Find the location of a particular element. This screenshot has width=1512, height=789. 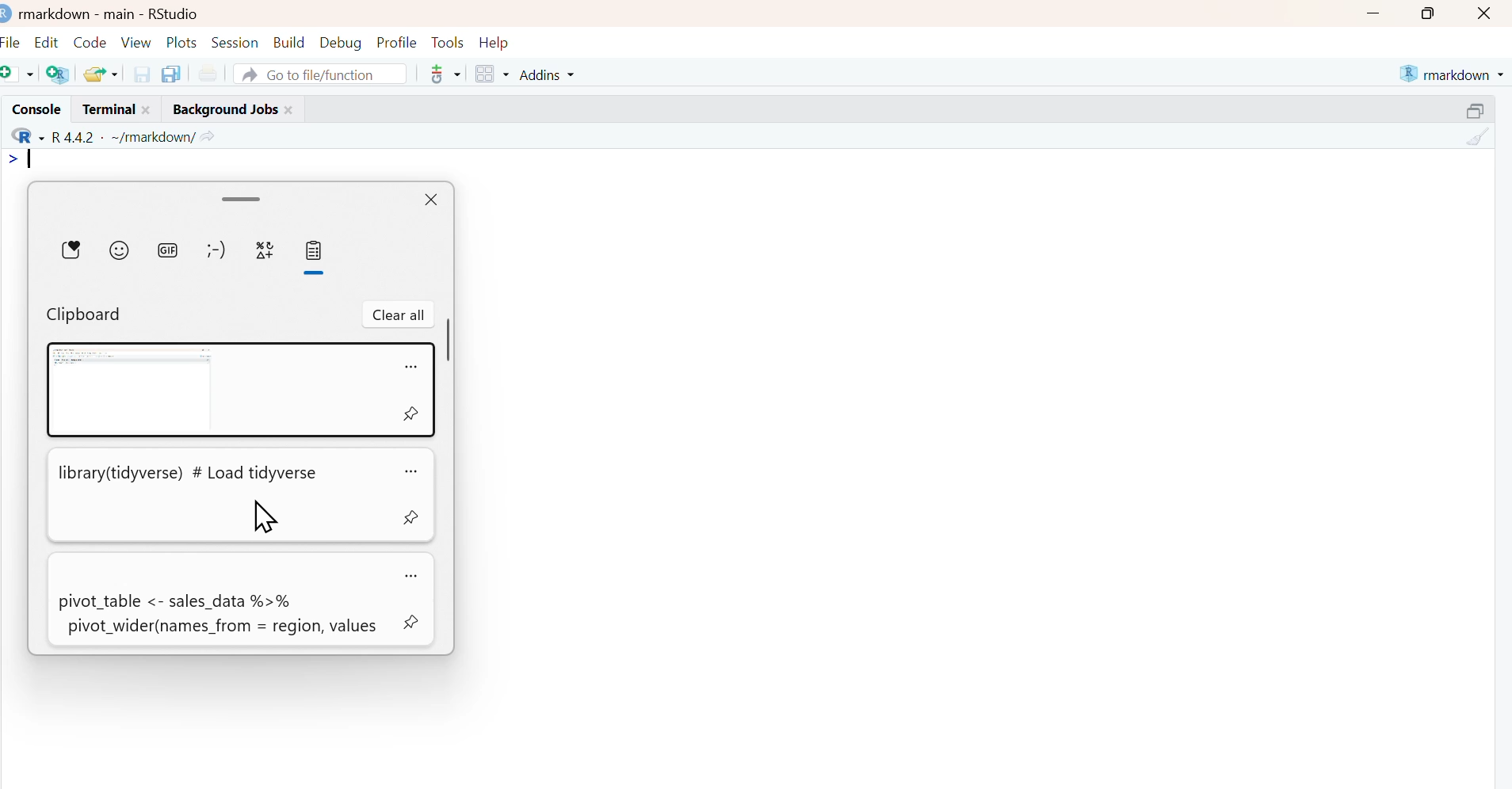

Session is located at coordinates (236, 40).